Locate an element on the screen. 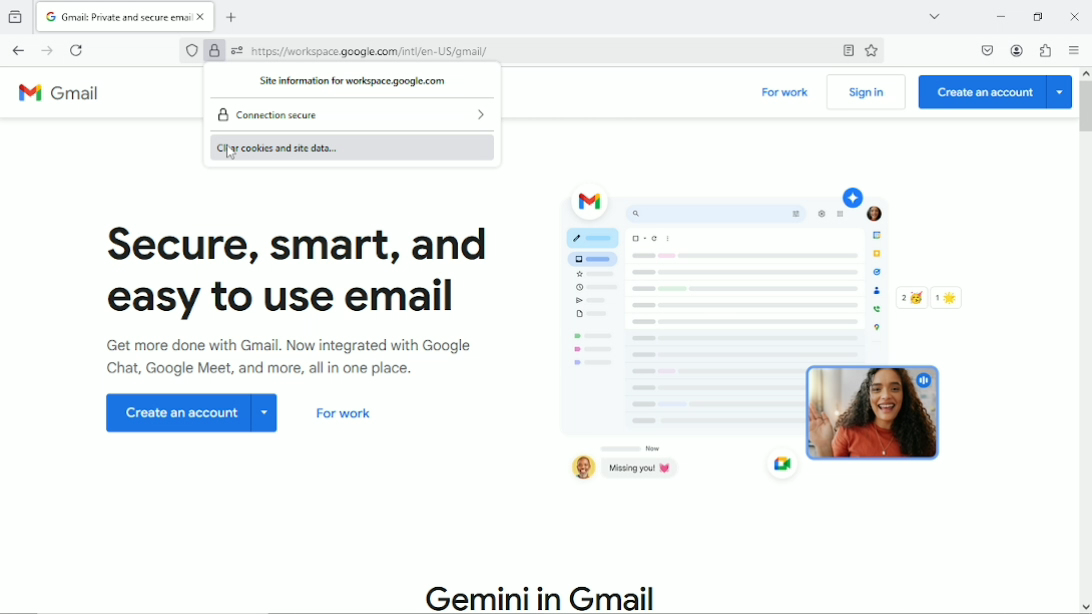 Image resolution: width=1092 pixels, height=614 pixels. Close is located at coordinates (1074, 16).